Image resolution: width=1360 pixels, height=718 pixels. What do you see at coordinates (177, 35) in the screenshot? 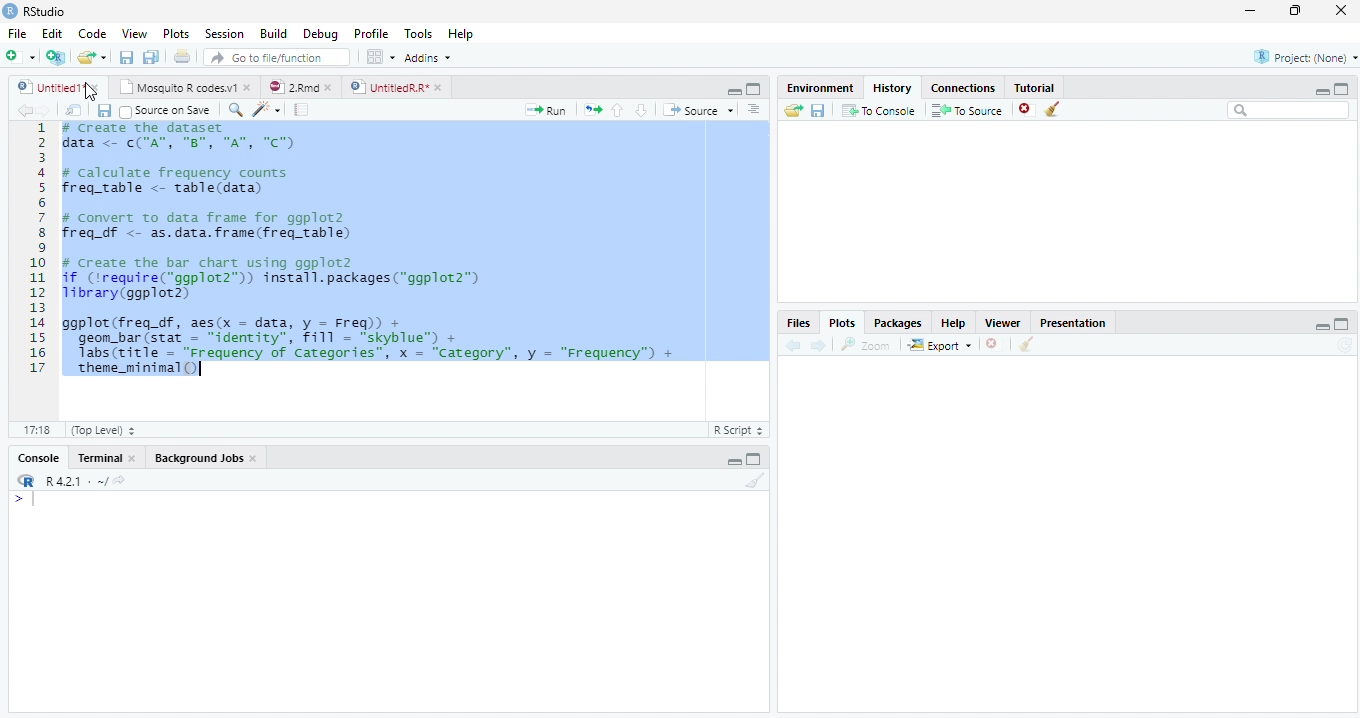
I see `Plots` at bounding box center [177, 35].